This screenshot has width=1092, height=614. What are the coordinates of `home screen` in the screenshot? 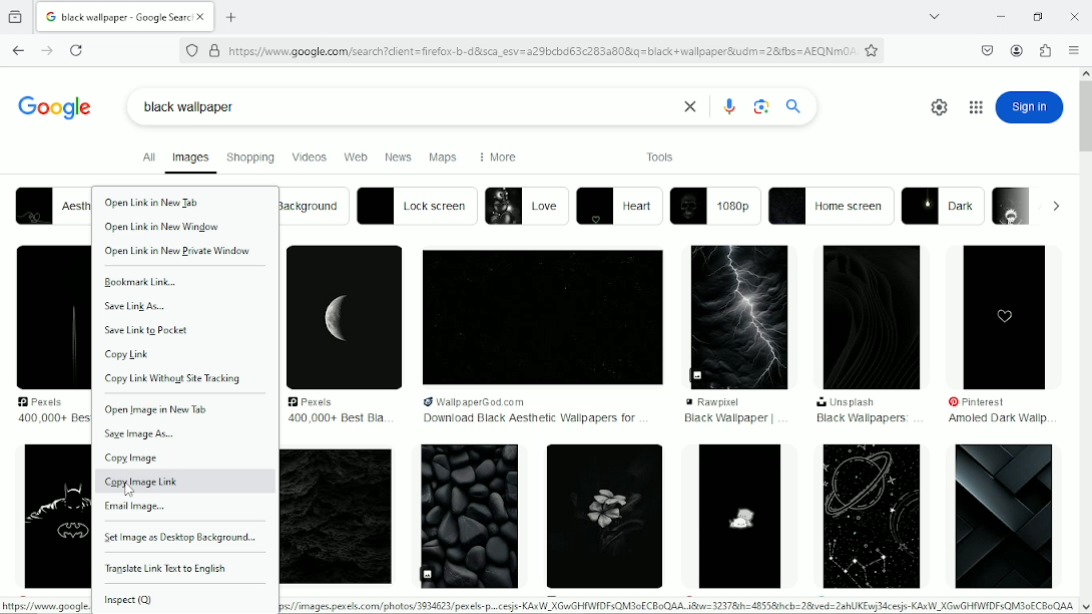 It's located at (832, 206).